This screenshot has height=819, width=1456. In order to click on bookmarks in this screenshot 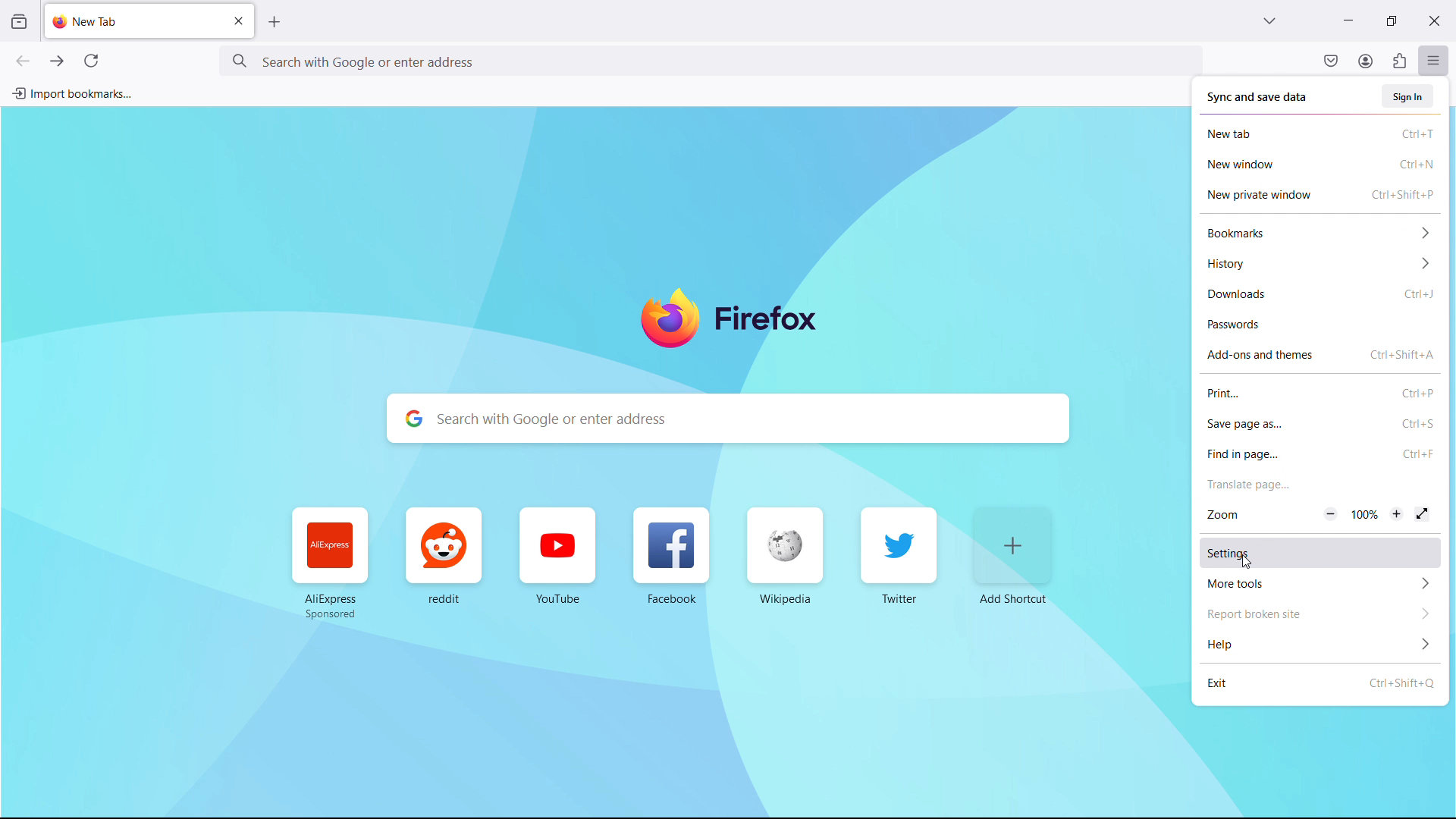, I will do `click(1321, 234)`.